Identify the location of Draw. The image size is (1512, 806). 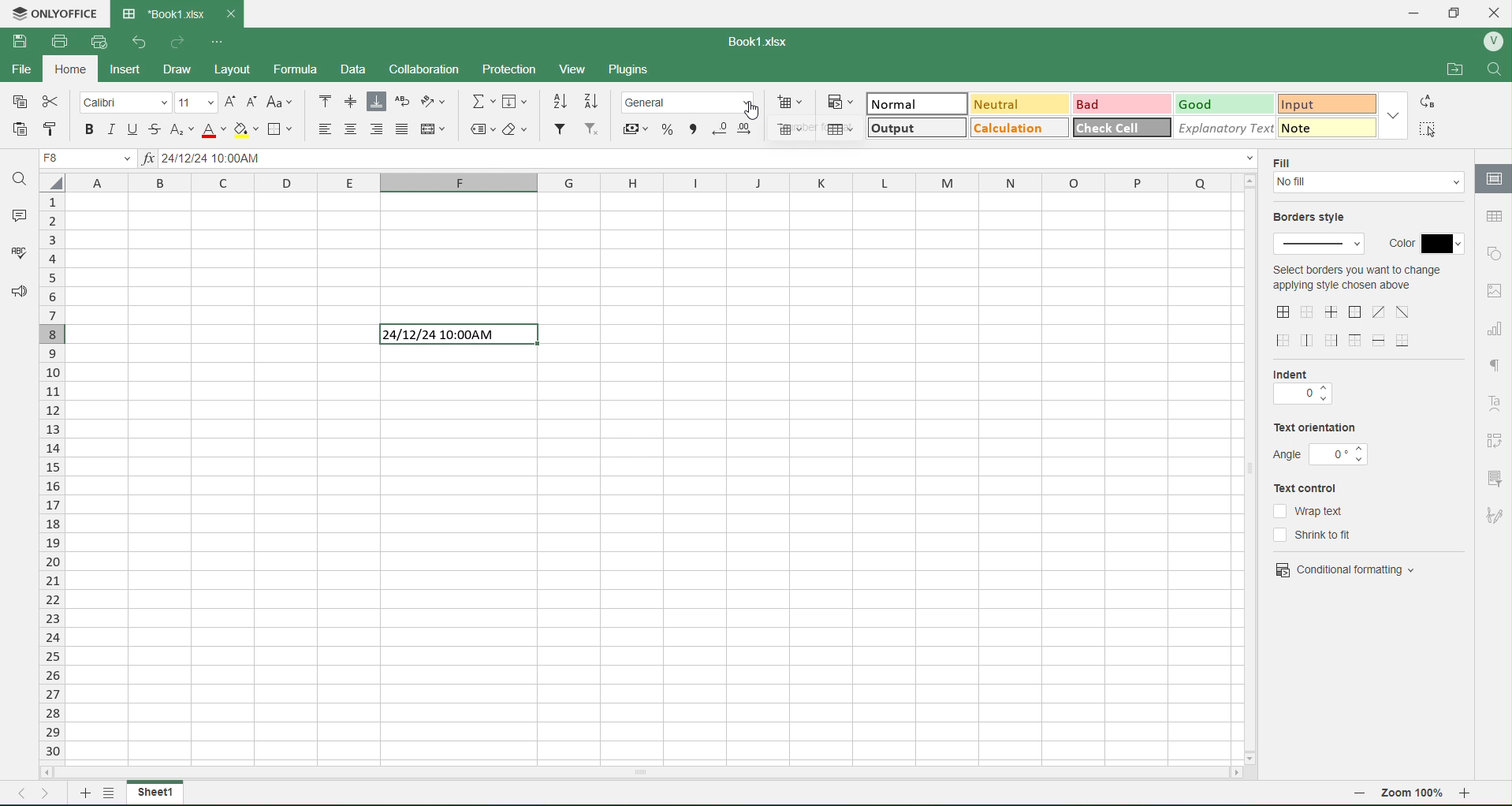
(192, 66).